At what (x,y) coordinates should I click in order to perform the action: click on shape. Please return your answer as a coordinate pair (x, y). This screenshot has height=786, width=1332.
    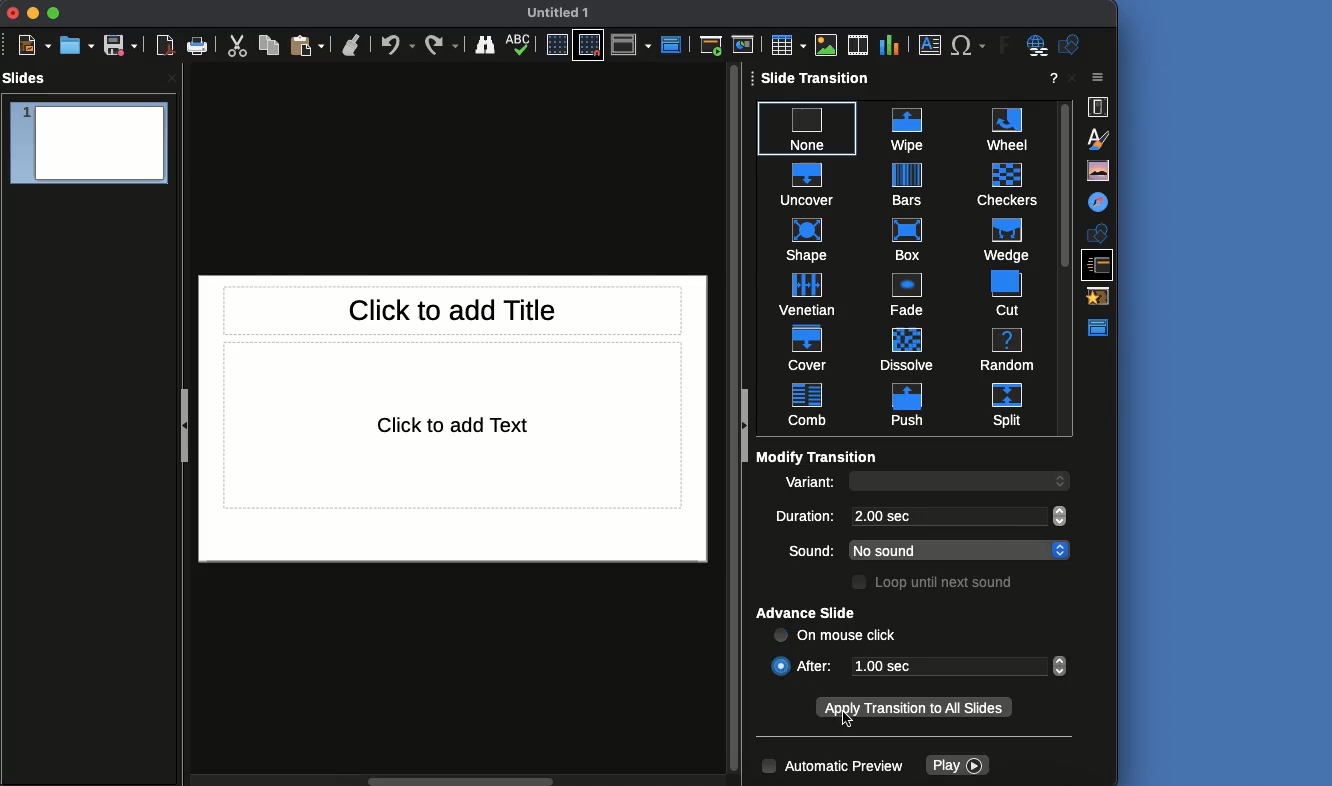
    Looking at the image, I should click on (806, 238).